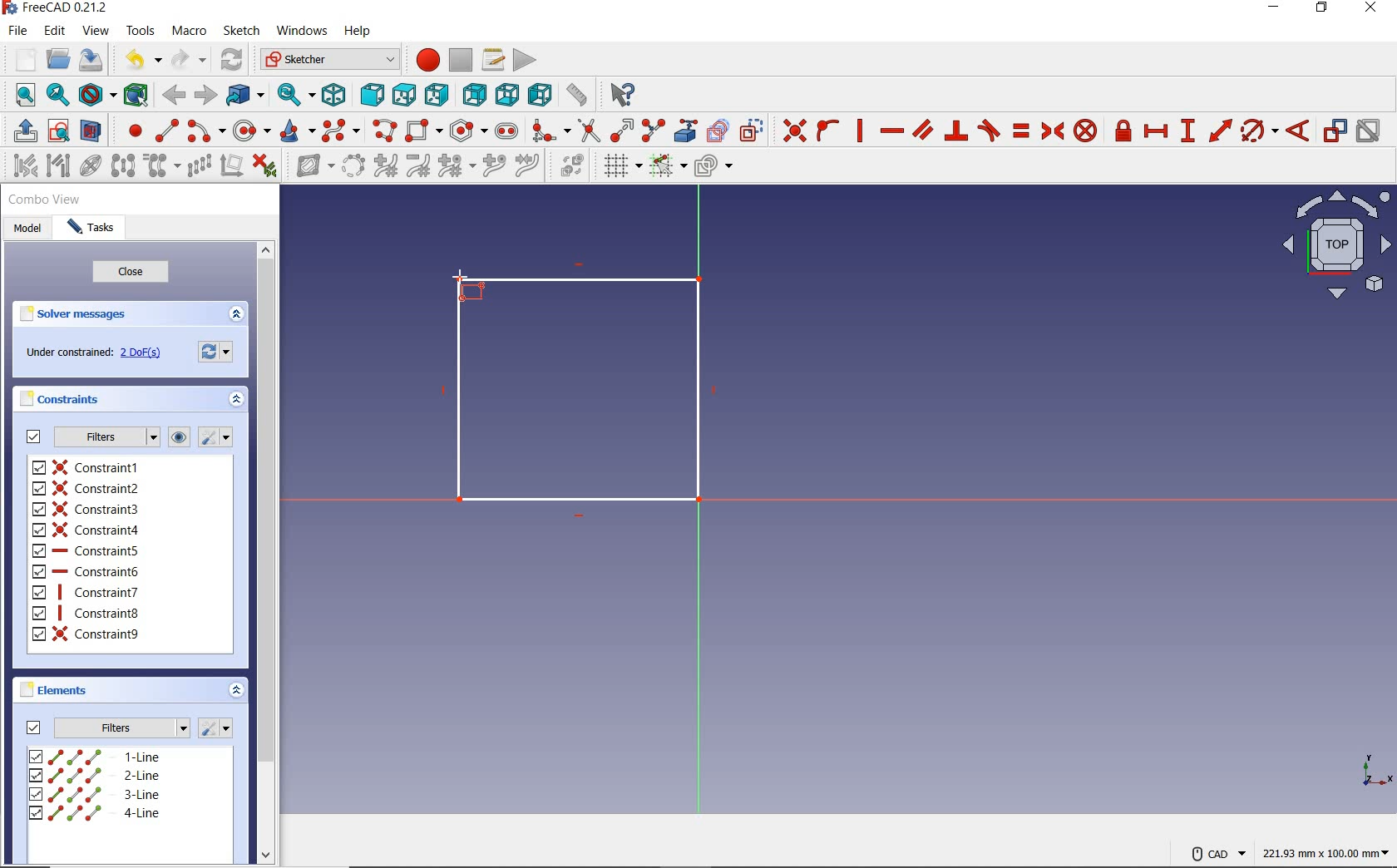  I want to click on filters, so click(107, 728).